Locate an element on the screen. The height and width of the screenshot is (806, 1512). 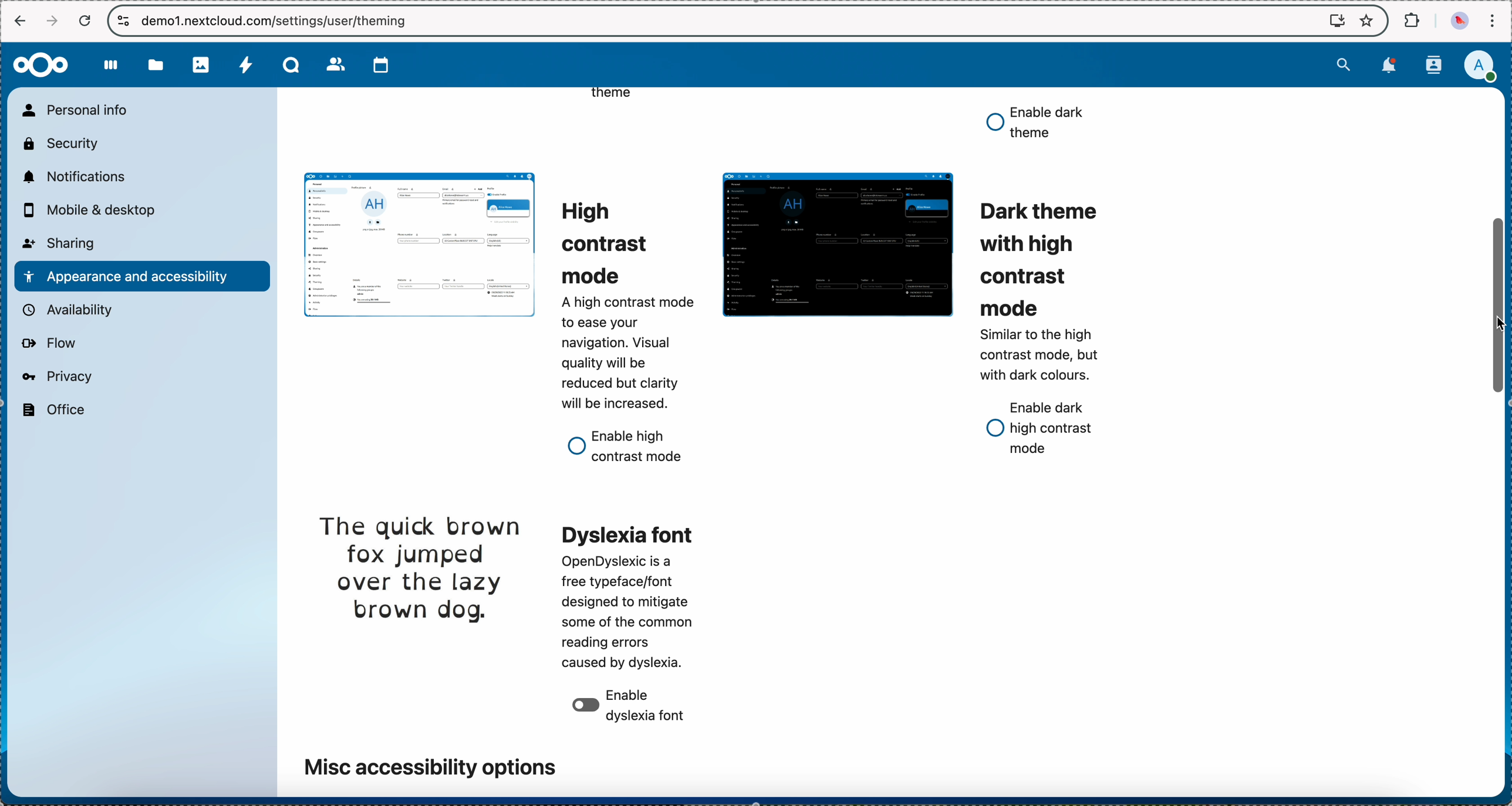
profile picture is located at coordinates (1457, 21).